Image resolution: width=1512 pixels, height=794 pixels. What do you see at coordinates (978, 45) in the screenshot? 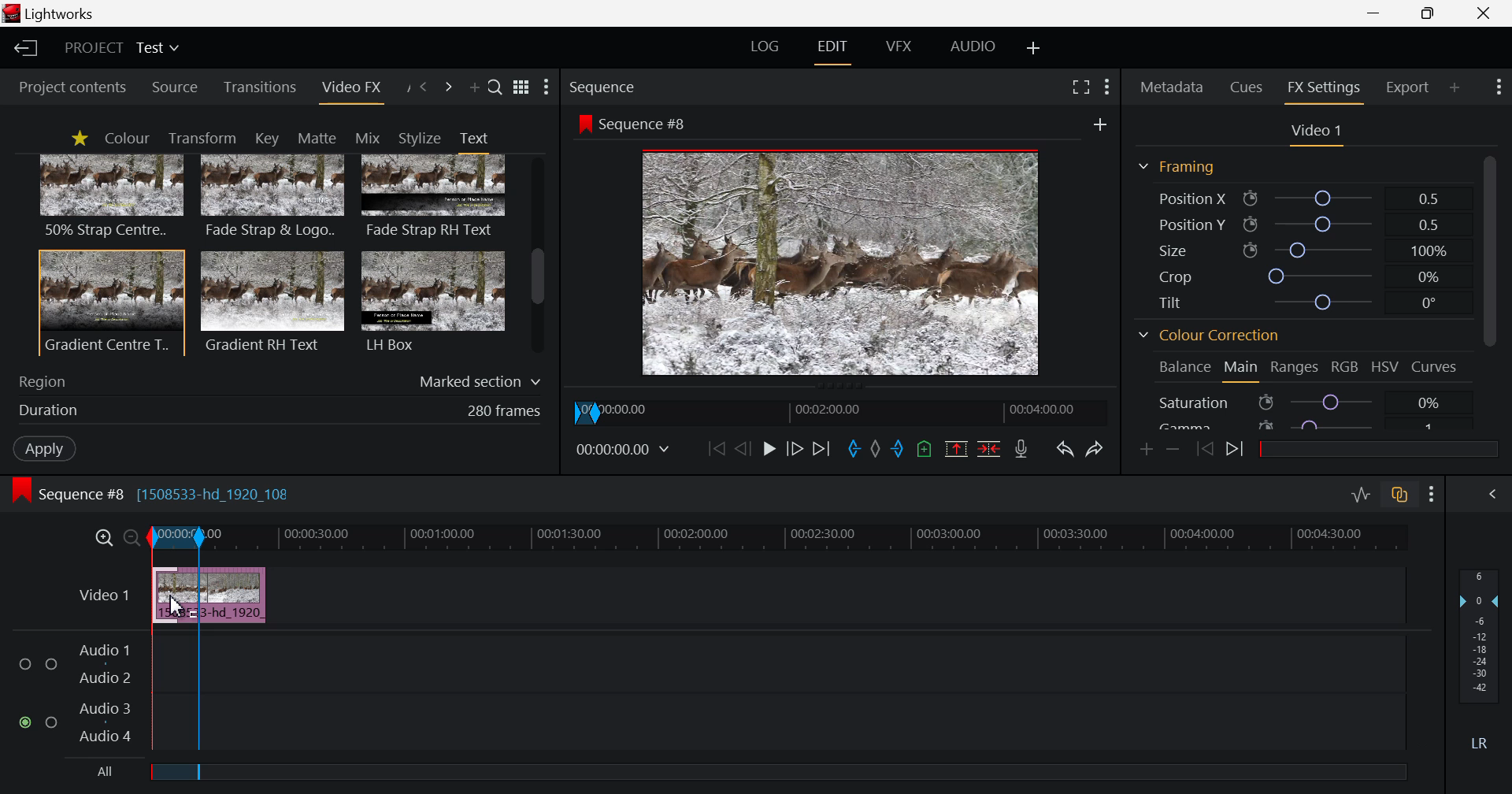
I see `AUDIO Layout` at bounding box center [978, 45].